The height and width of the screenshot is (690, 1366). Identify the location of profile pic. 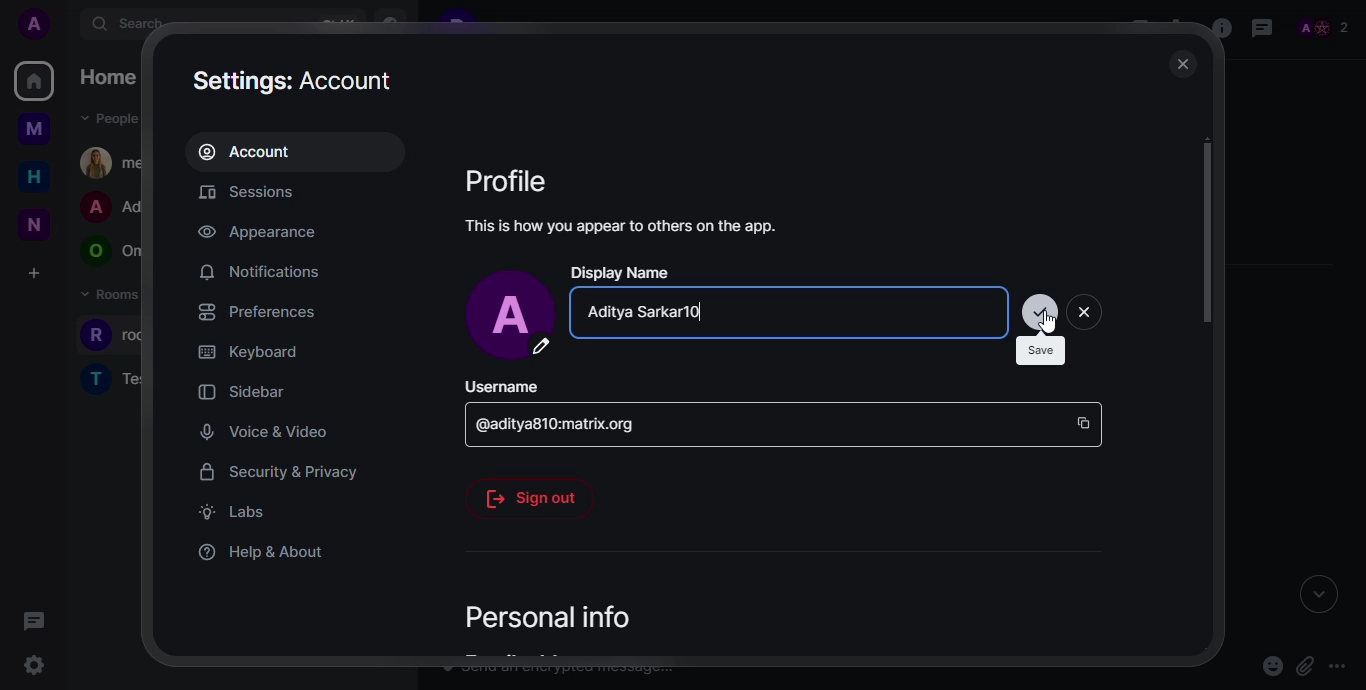
(512, 315).